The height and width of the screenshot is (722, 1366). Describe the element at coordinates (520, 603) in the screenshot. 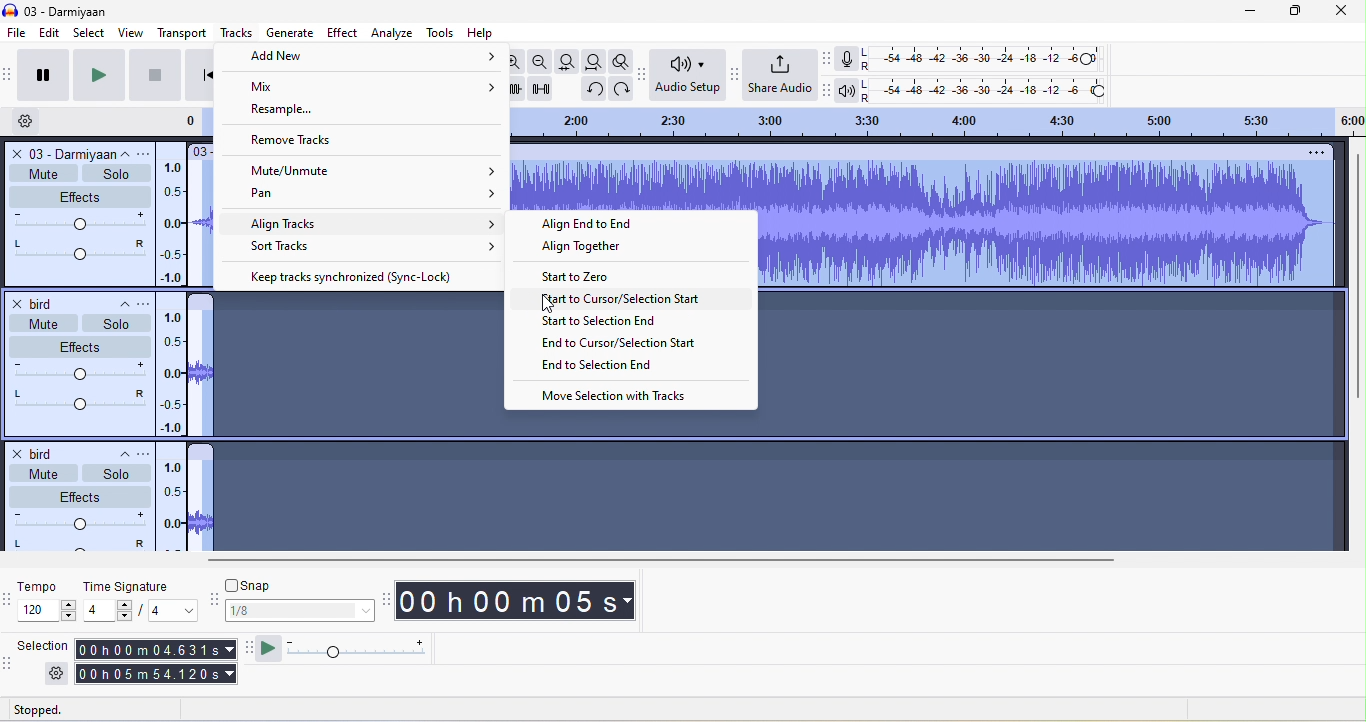

I see `00 h 00 m 05 s` at that location.